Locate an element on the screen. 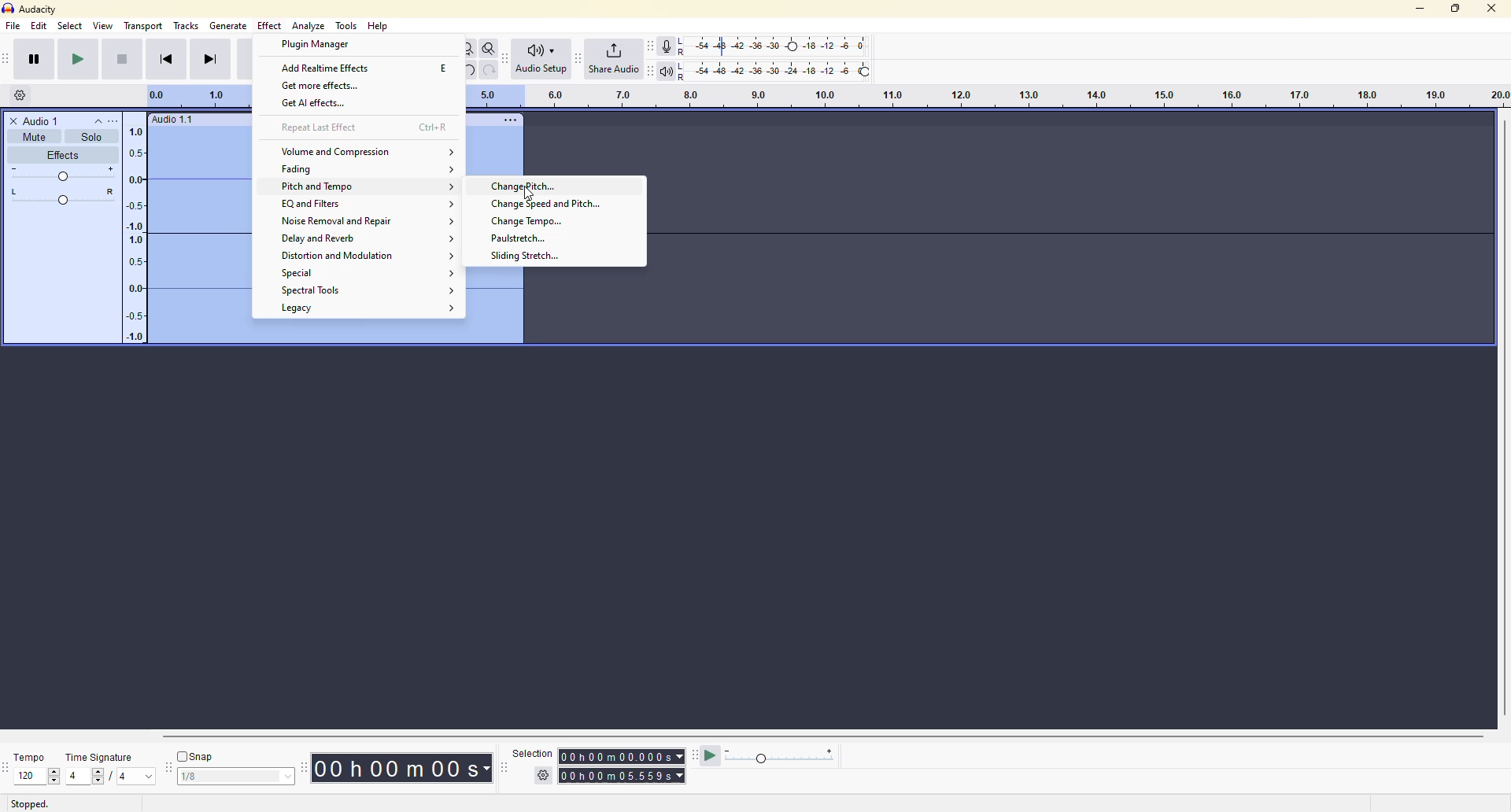  sliding stretch is located at coordinates (524, 255).